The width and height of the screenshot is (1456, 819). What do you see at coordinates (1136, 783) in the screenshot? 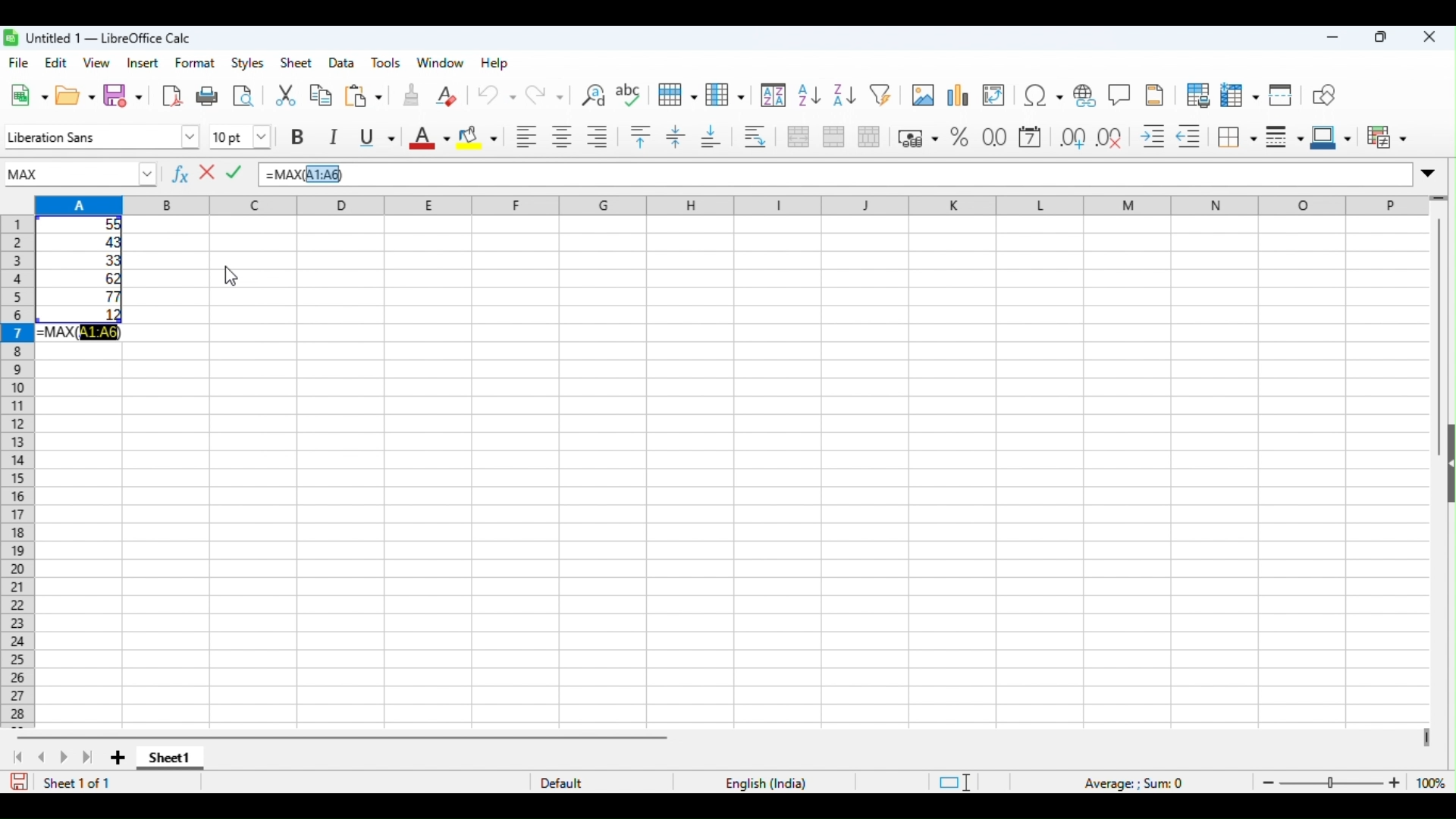
I see `formula` at bounding box center [1136, 783].